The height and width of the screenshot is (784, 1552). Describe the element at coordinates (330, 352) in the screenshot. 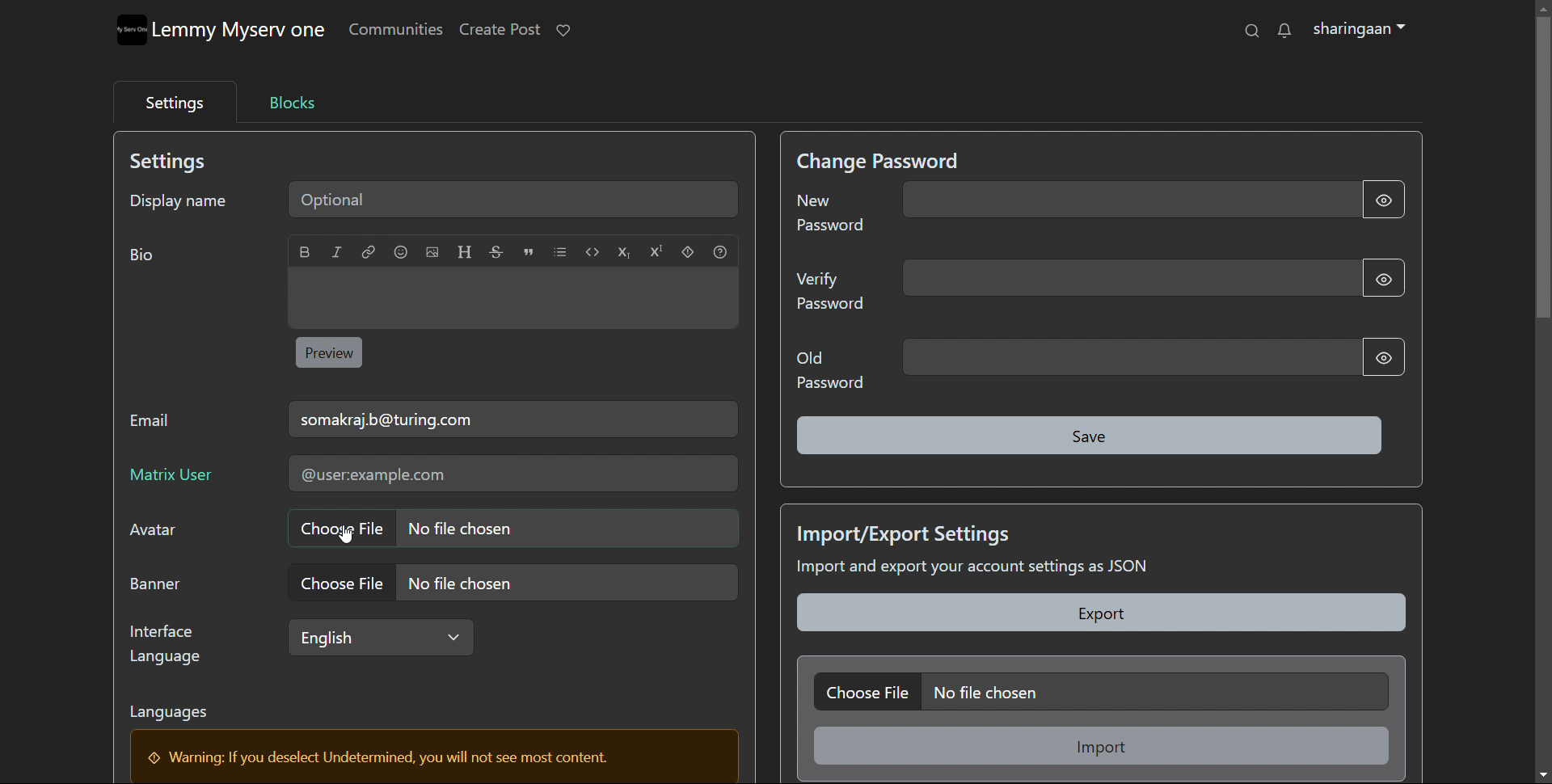

I see `preview` at that location.